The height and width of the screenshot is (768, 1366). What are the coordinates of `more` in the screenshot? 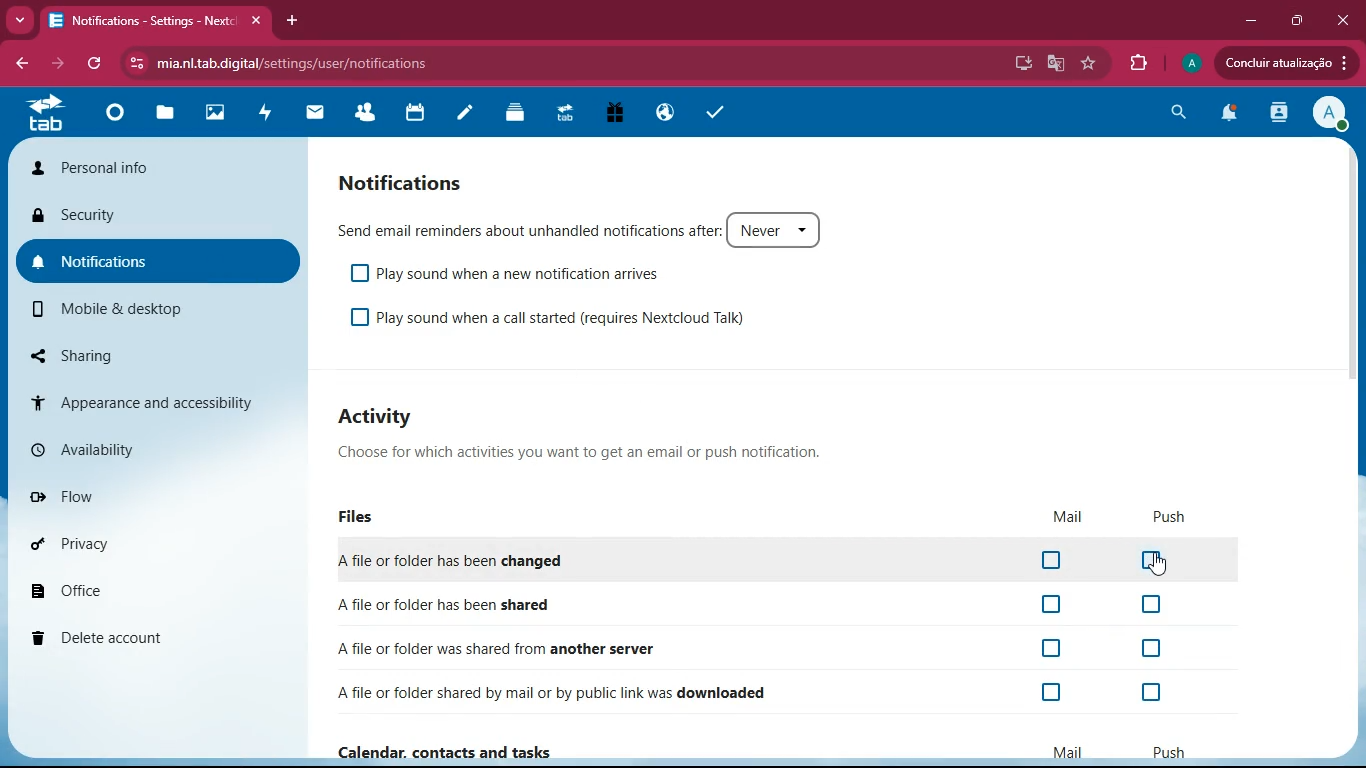 It's located at (20, 20).